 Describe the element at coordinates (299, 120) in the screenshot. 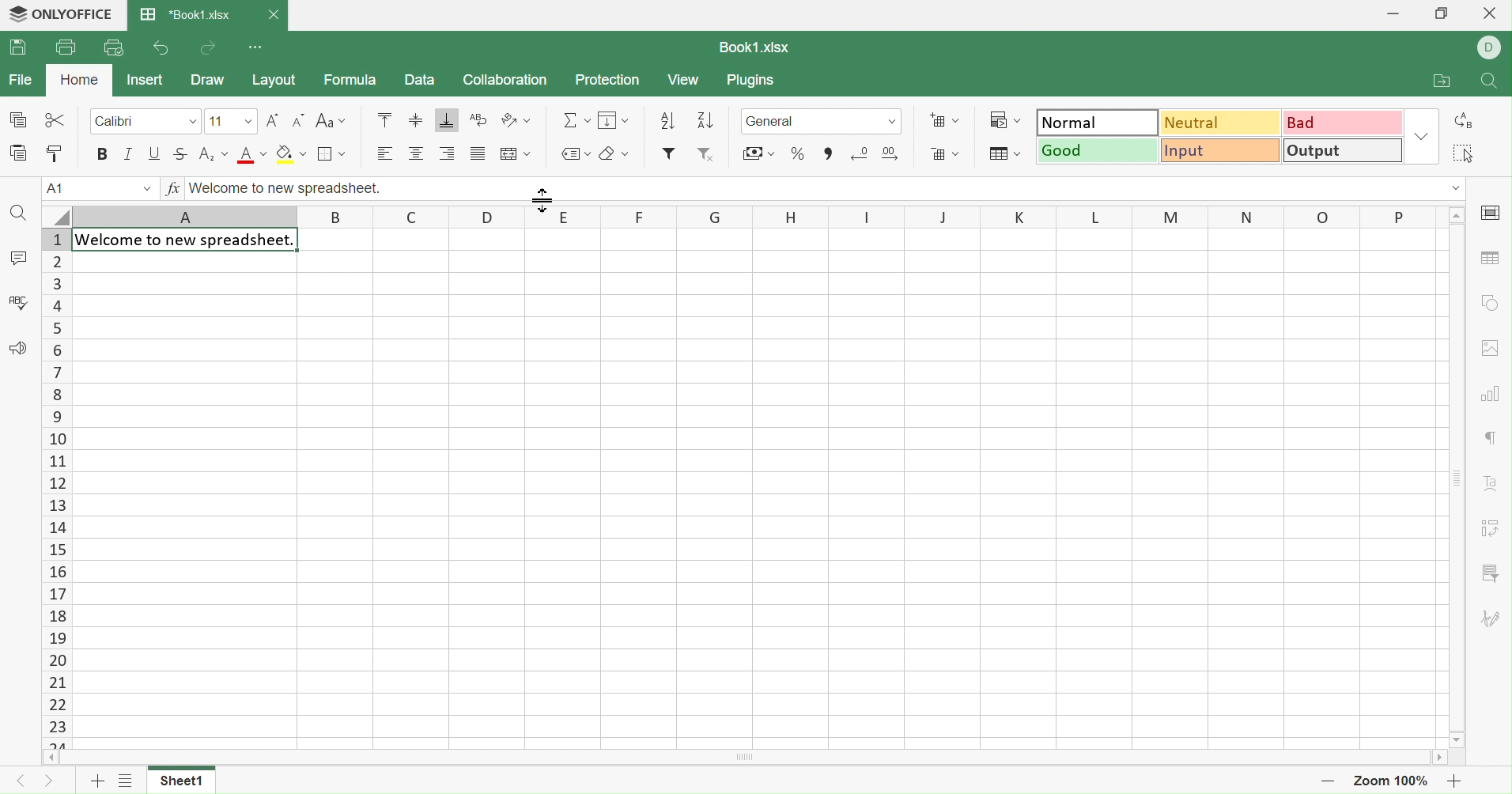

I see `Decrement font size` at that location.